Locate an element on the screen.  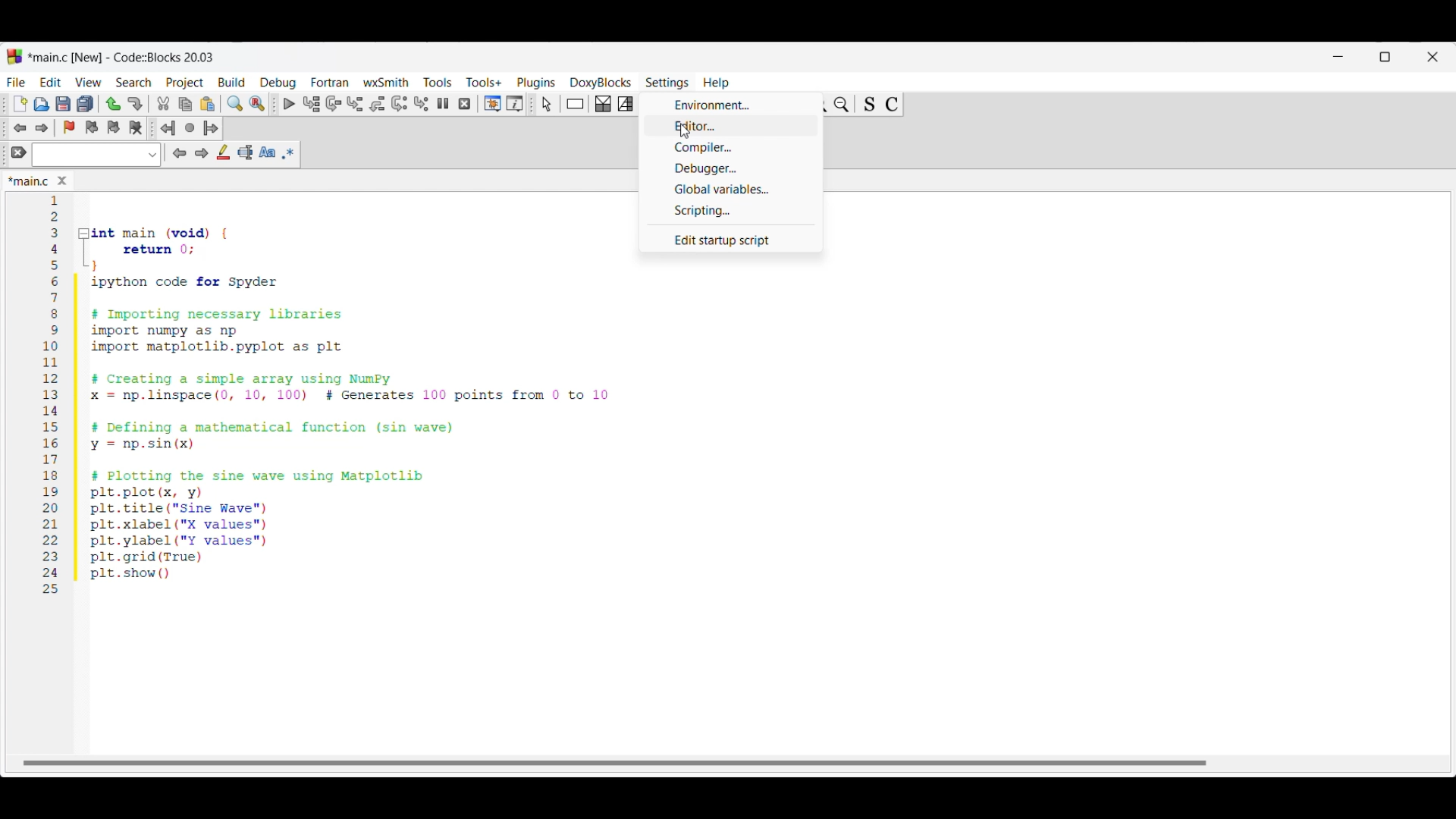
Debug/Continue is located at coordinates (290, 104).